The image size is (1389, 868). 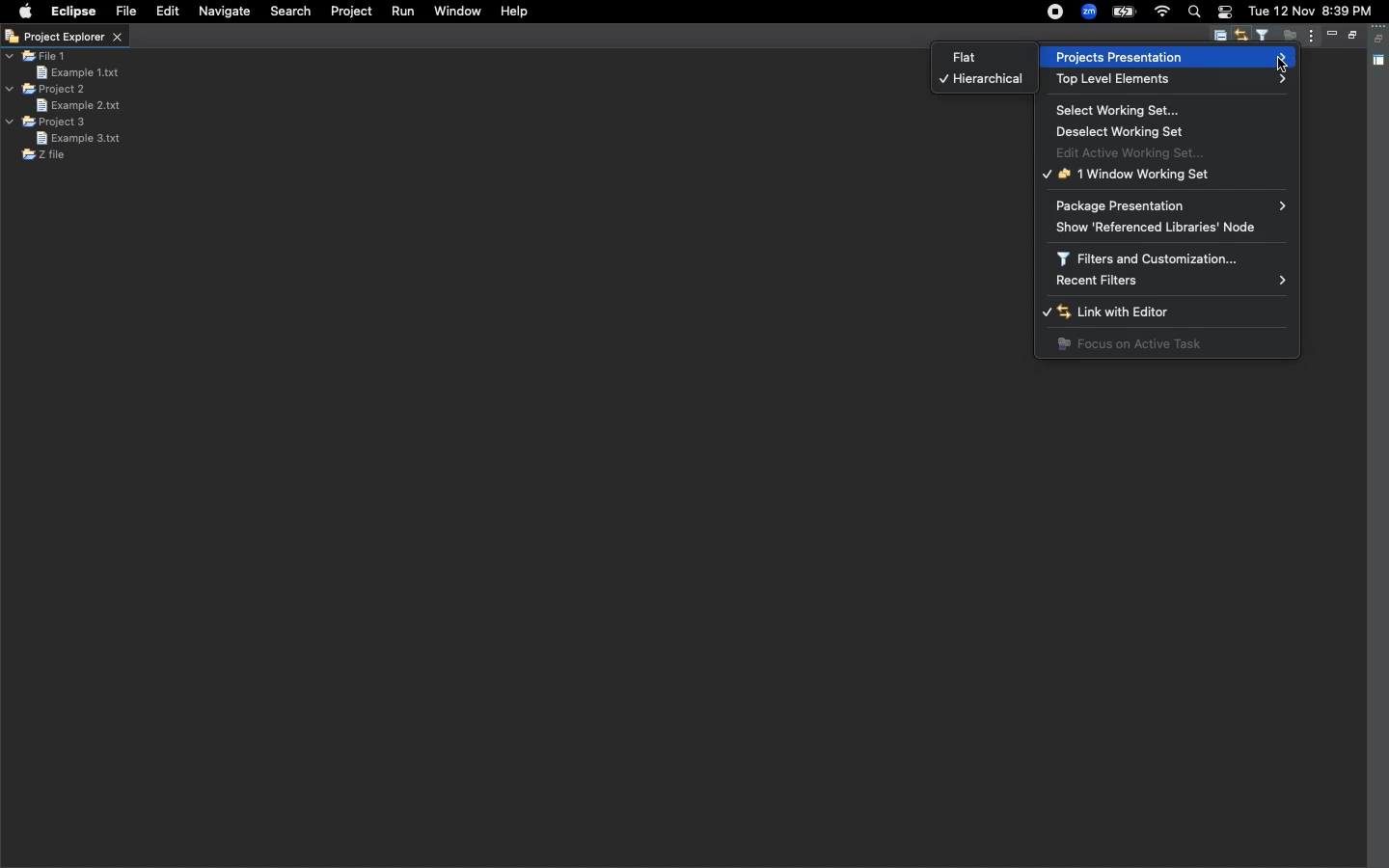 I want to click on Focus on active task, so click(x=1287, y=37).